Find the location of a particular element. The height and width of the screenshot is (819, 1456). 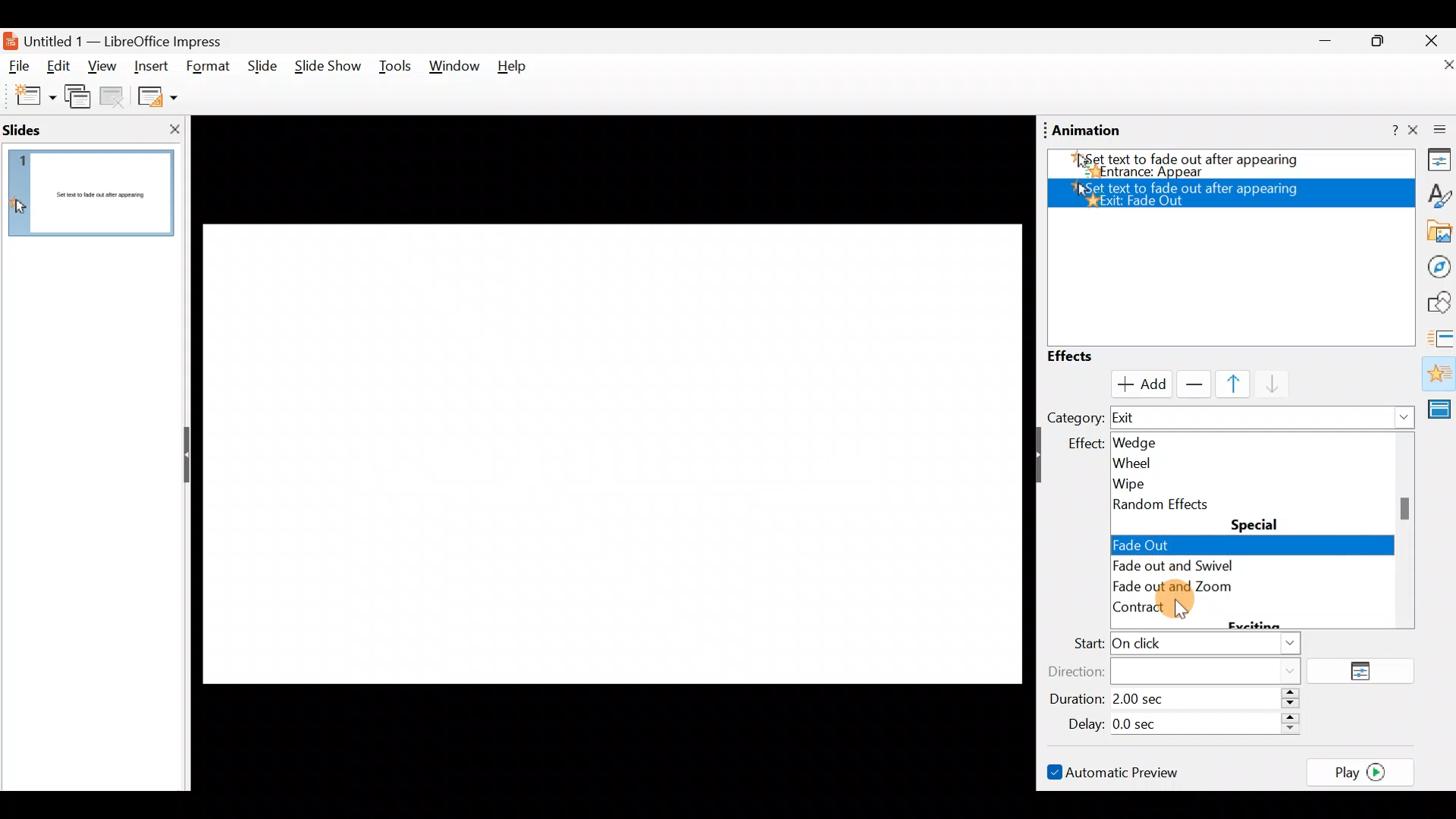

Category is located at coordinates (1075, 417).